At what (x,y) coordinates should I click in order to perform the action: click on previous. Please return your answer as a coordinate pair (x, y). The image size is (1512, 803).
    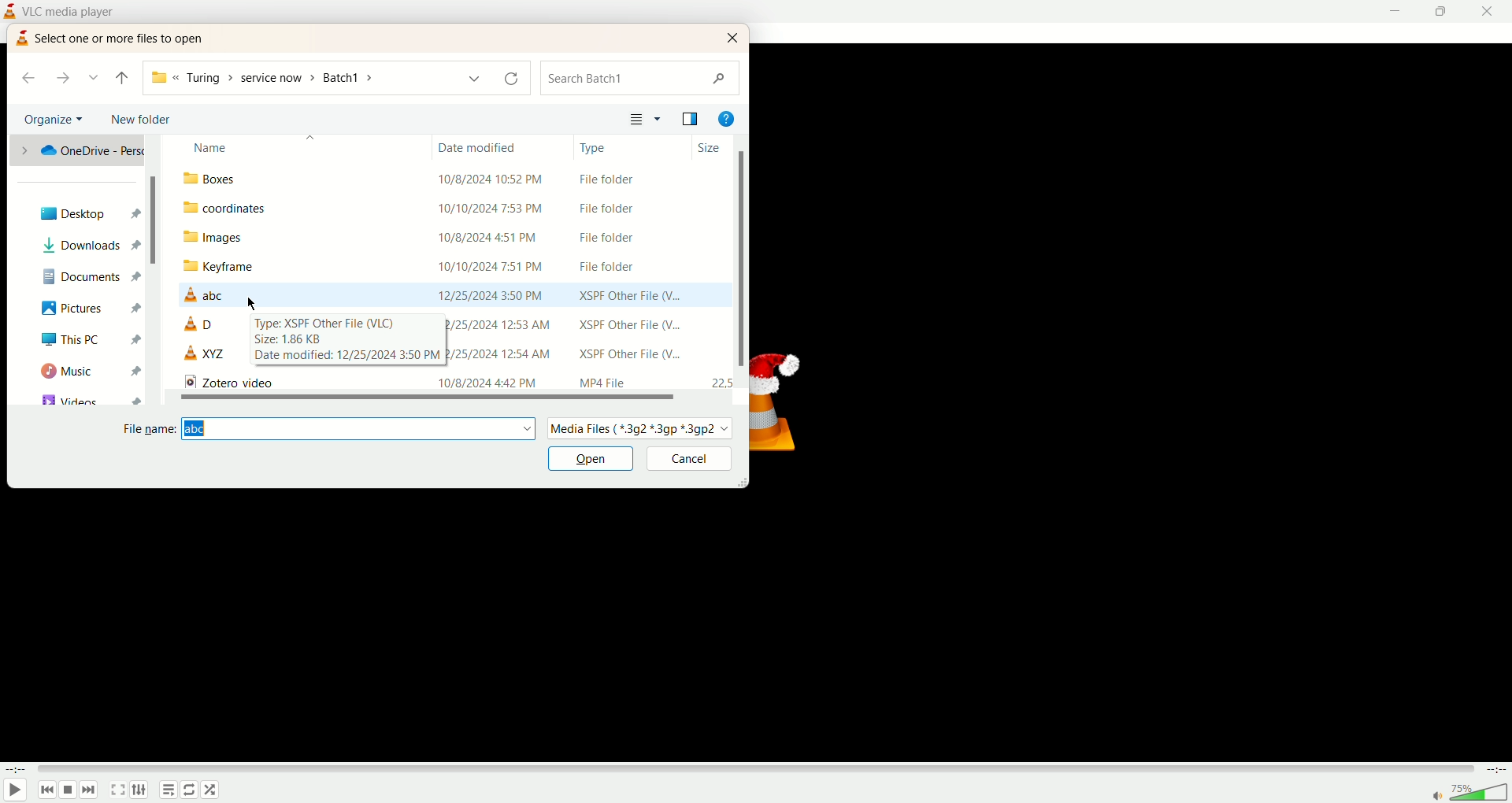
    Looking at the image, I should click on (48, 790).